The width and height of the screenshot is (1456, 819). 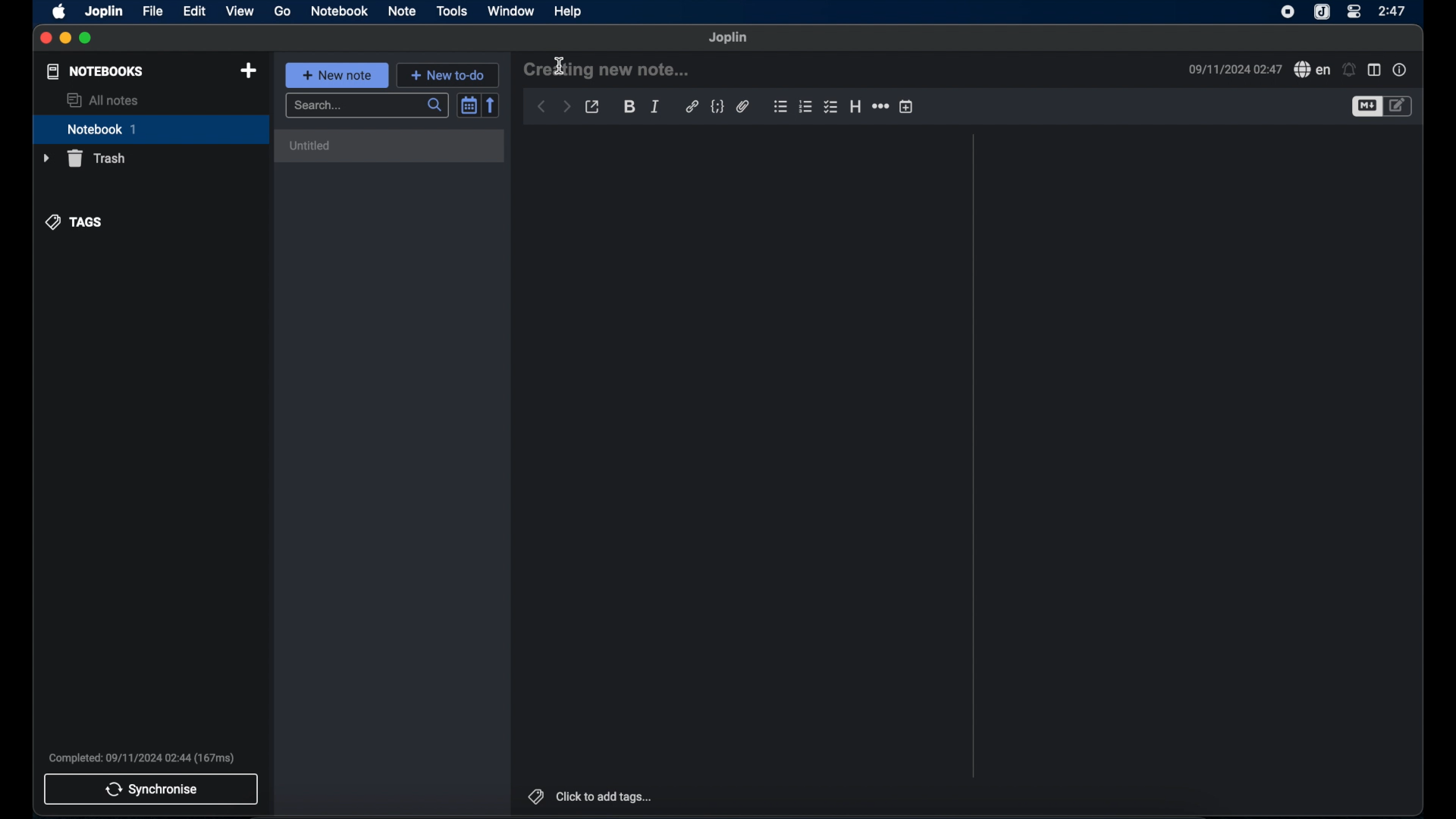 What do you see at coordinates (653, 107) in the screenshot?
I see `italic` at bounding box center [653, 107].